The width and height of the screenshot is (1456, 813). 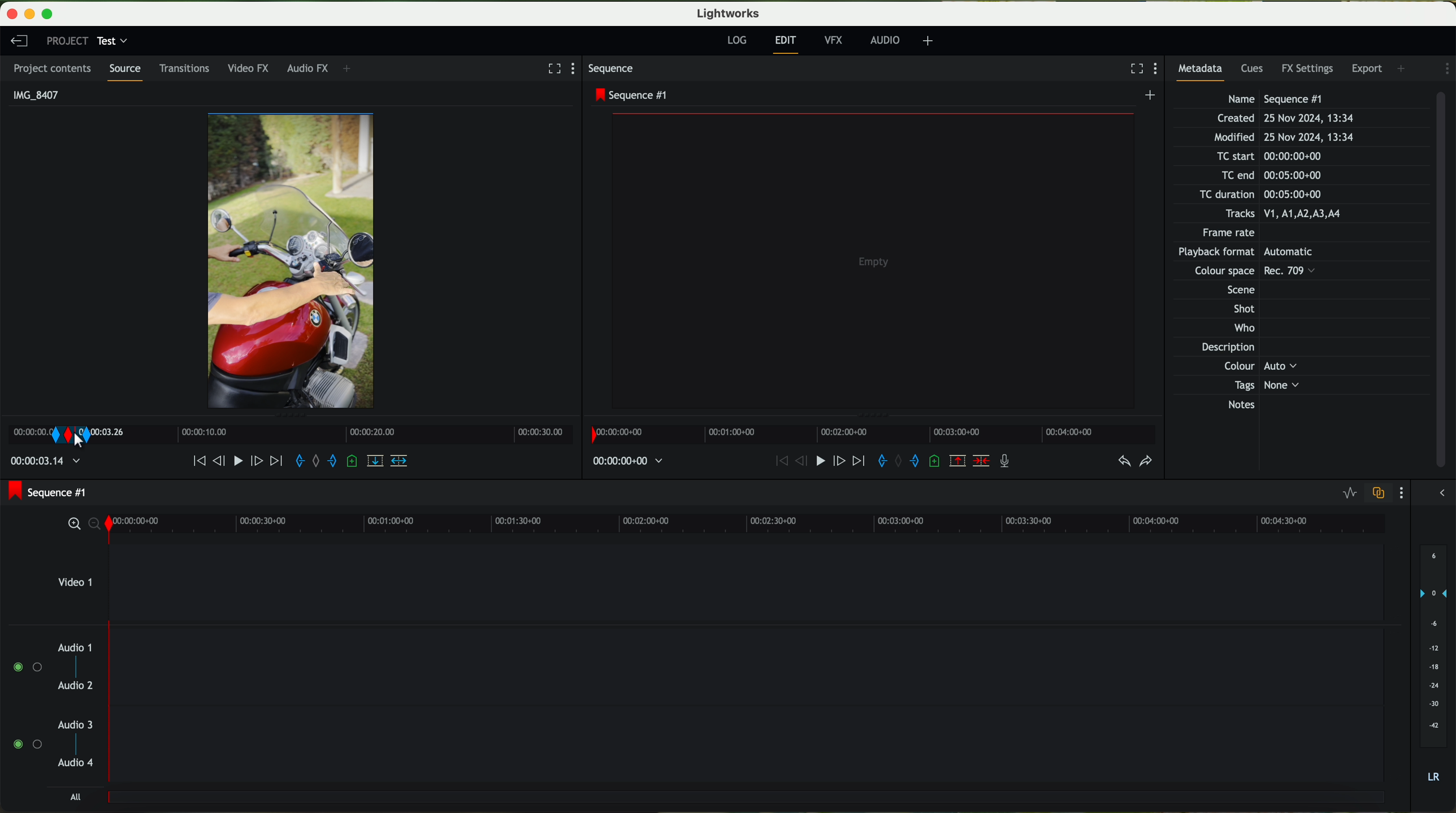 I want to click on maximize, so click(x=54, y=12).